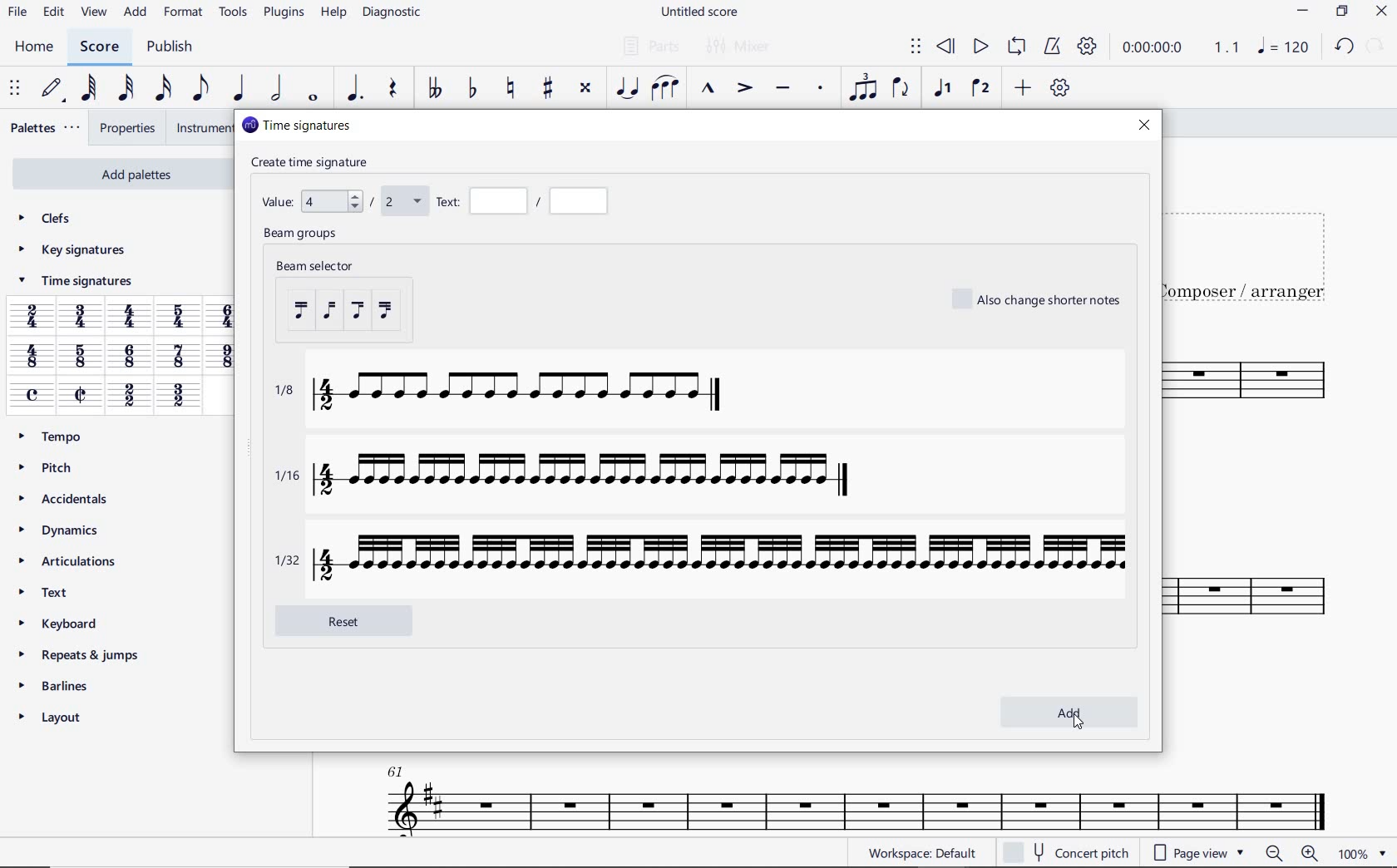  I want to click on KEY SIGNATURES, so click(72, 250).